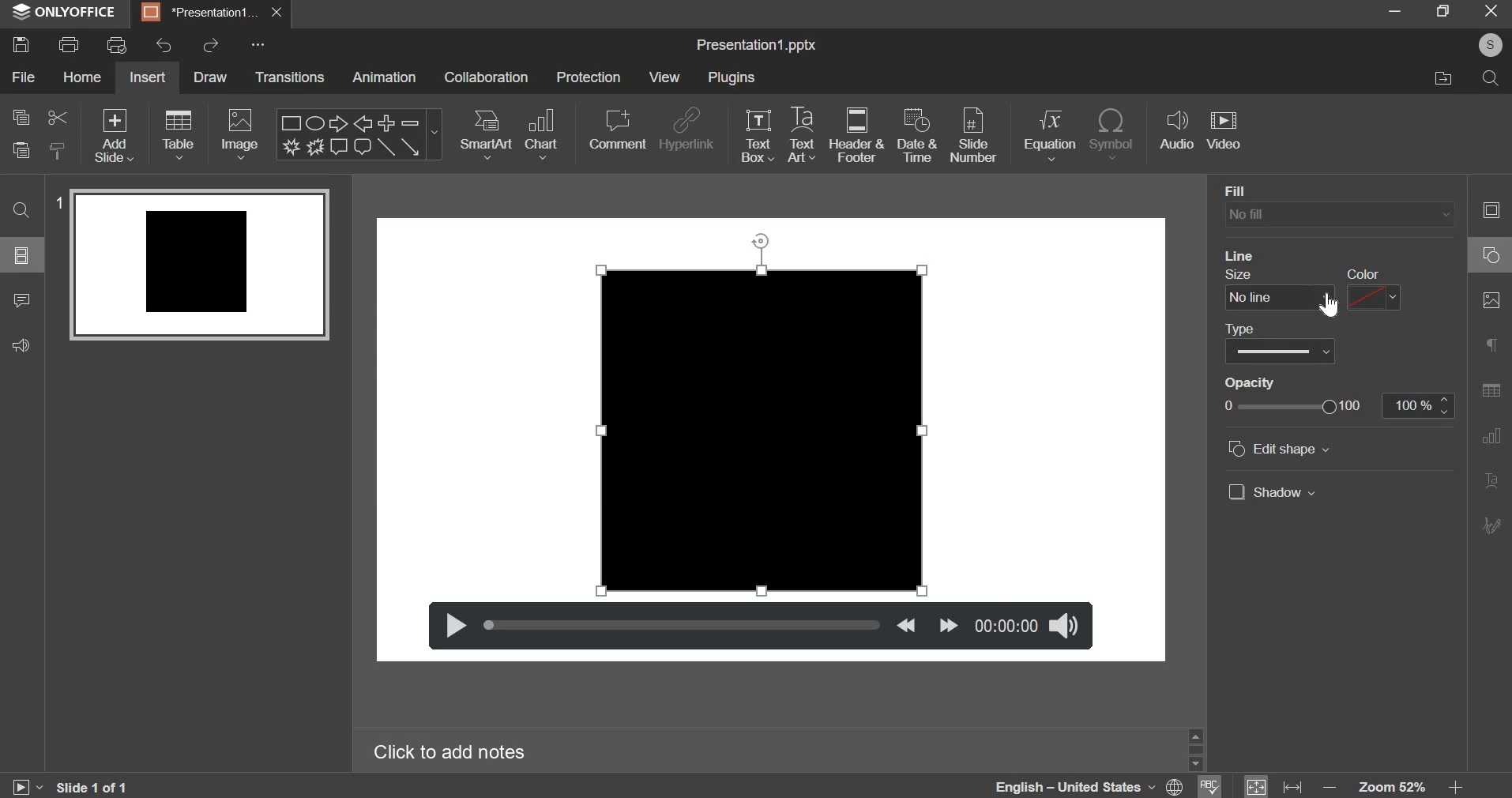 This screenshot has height=798, width=1512. What do you see at coordinates (1247, 297) in the screenshot?
I see `line width` at bounding box center [1247, 297].